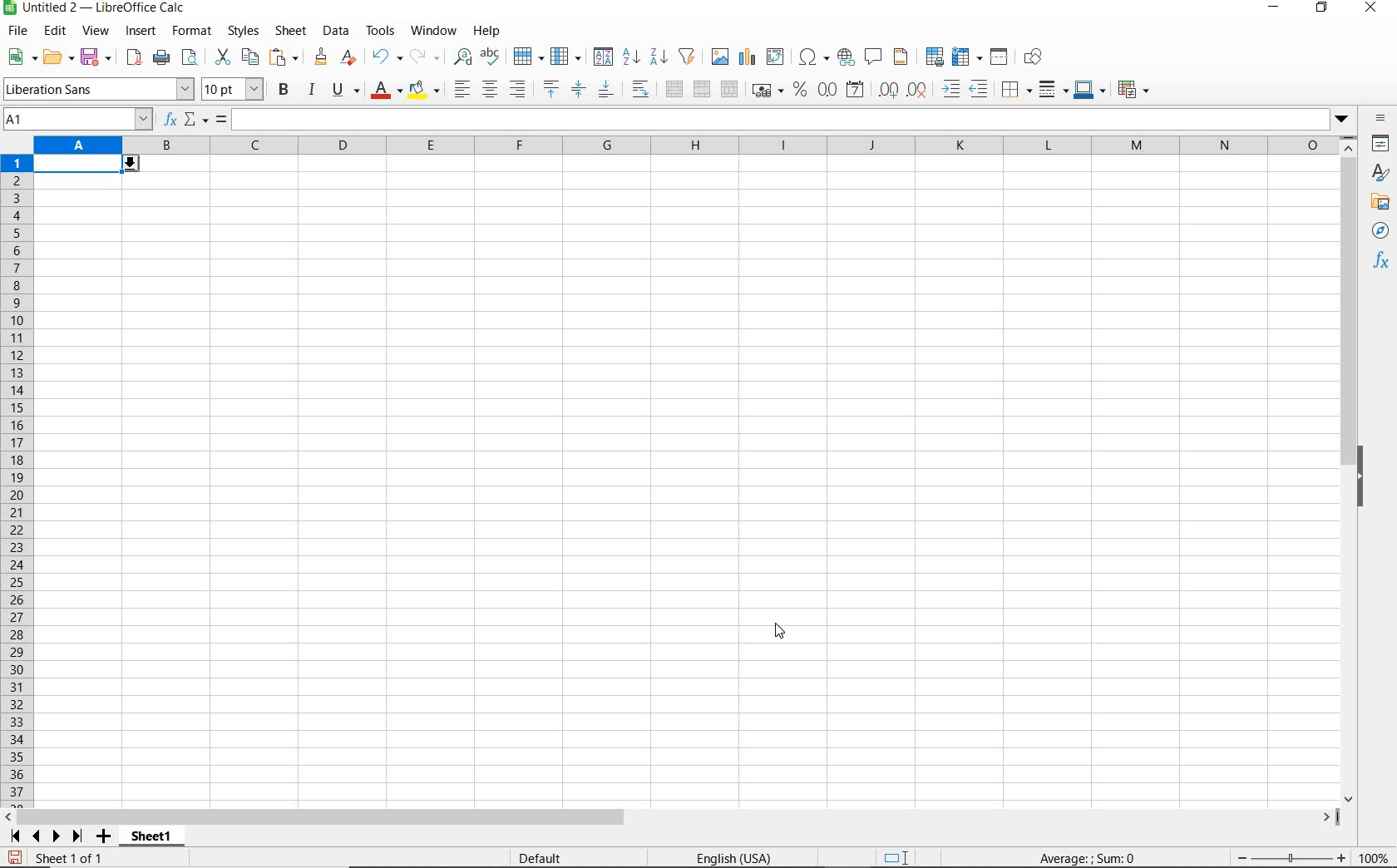  What do you see at coordinates (486, 31) in the screenshot?
I see `help` at bounding box center [486, 31].